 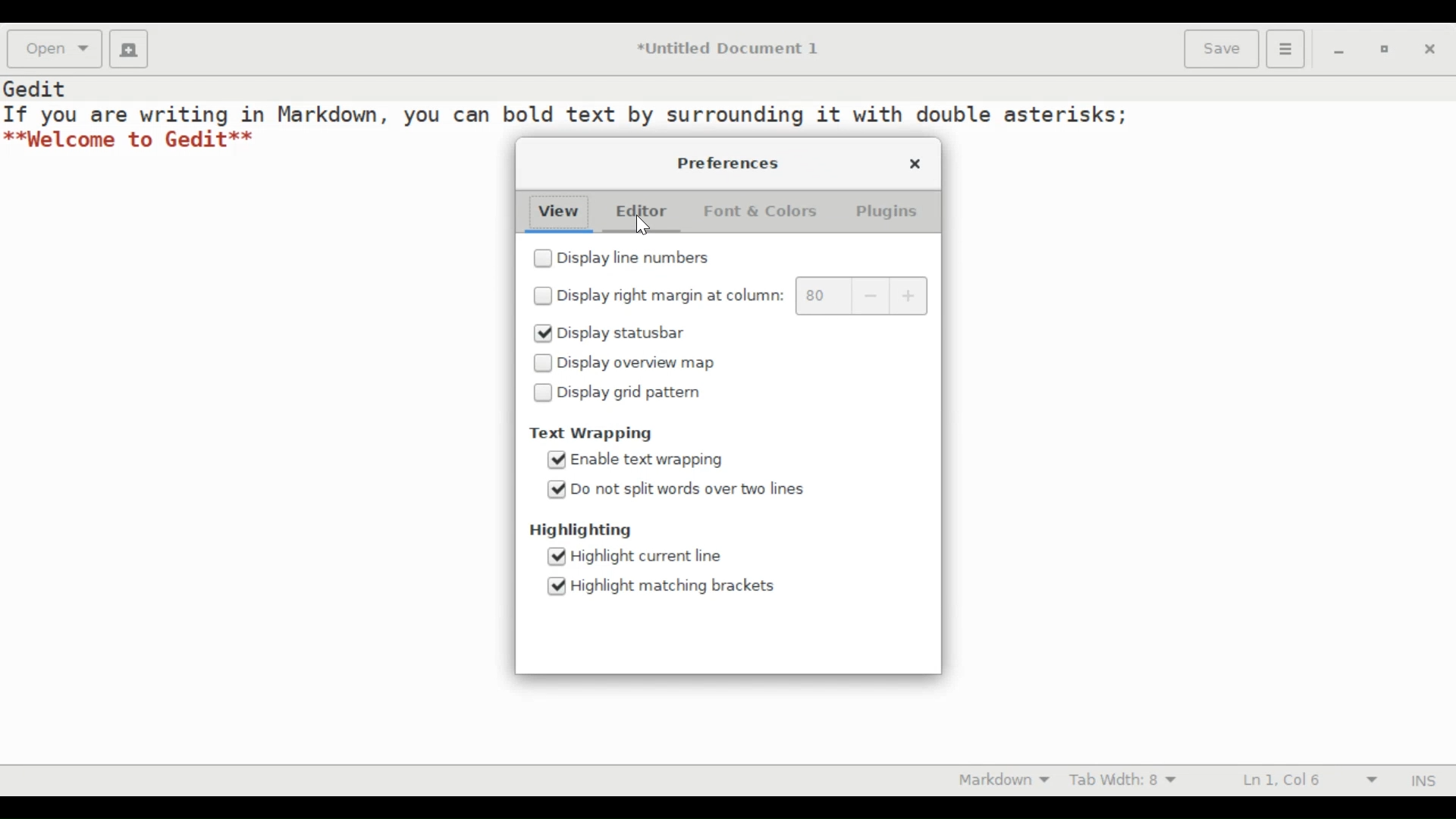 What do you see at coordinates (885, 212) in the screenshot?
I see `Plugins` at bounding box center [885, 212].